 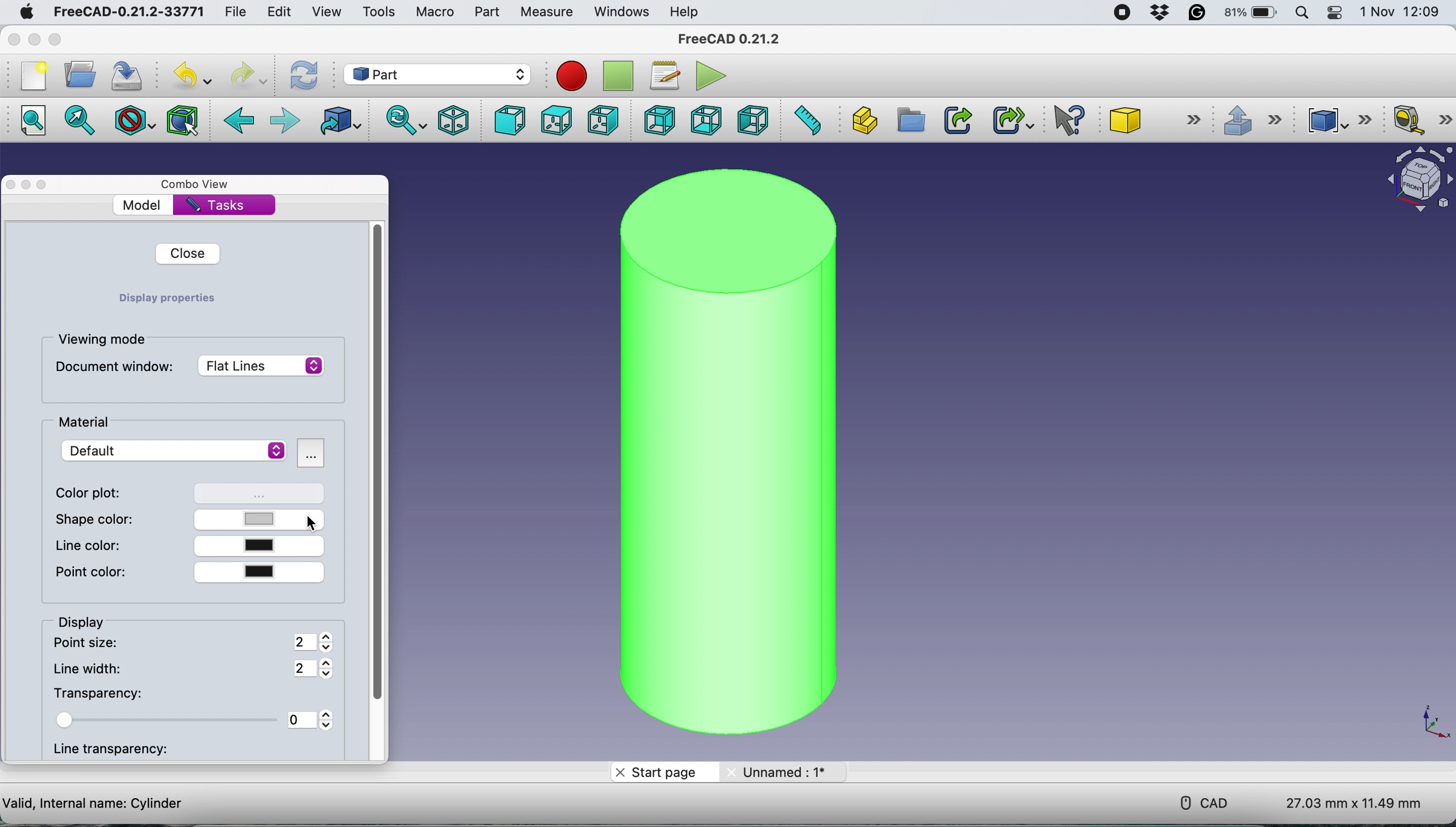 What do you see at coordinates (1400, 12) in the screenshot?
I see `date and time` at bounding box center [1400, 12].